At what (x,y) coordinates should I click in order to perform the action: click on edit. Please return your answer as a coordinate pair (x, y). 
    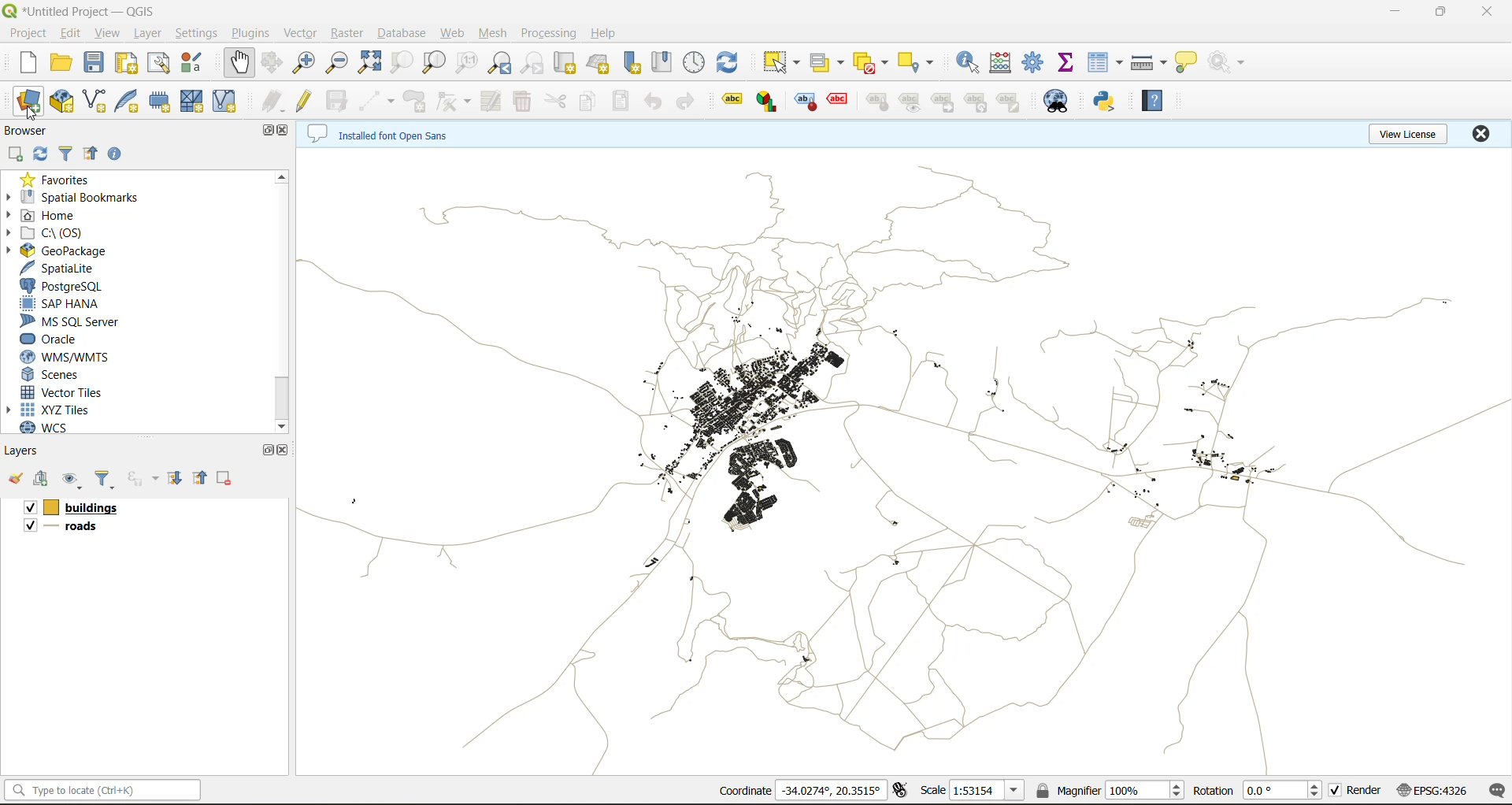
    Looking at the image, I should click on (71, 35).